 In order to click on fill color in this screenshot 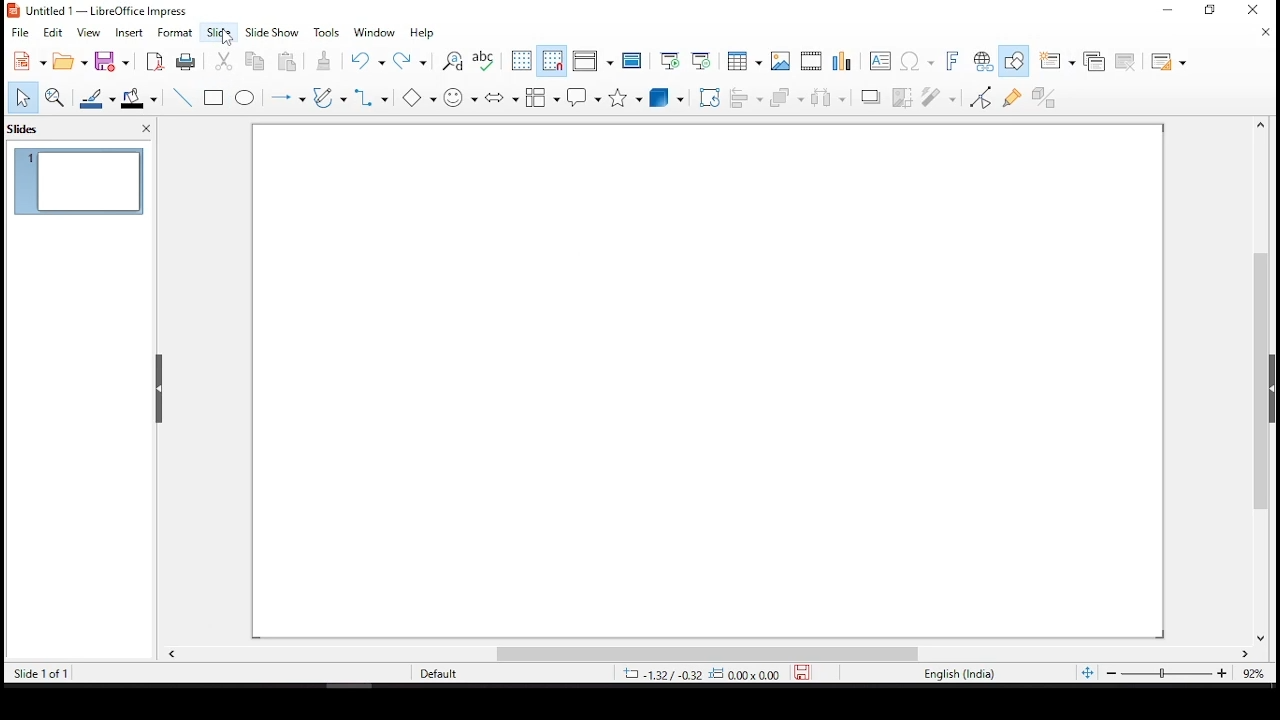, I will do `click(139, 99)`.